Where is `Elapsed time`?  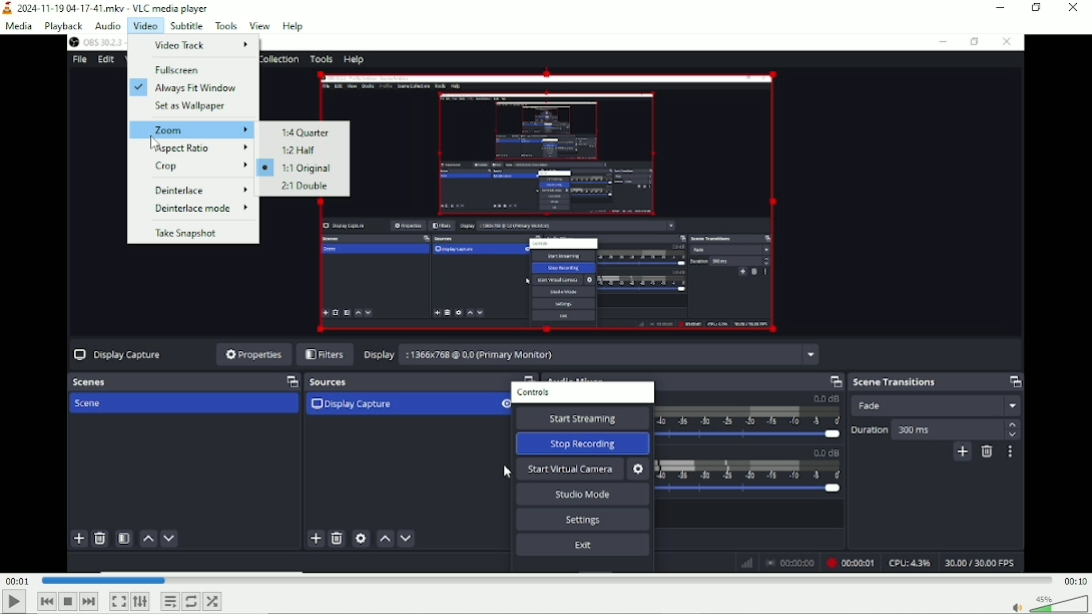
Elapsed time is located at coordinates (18, 582).